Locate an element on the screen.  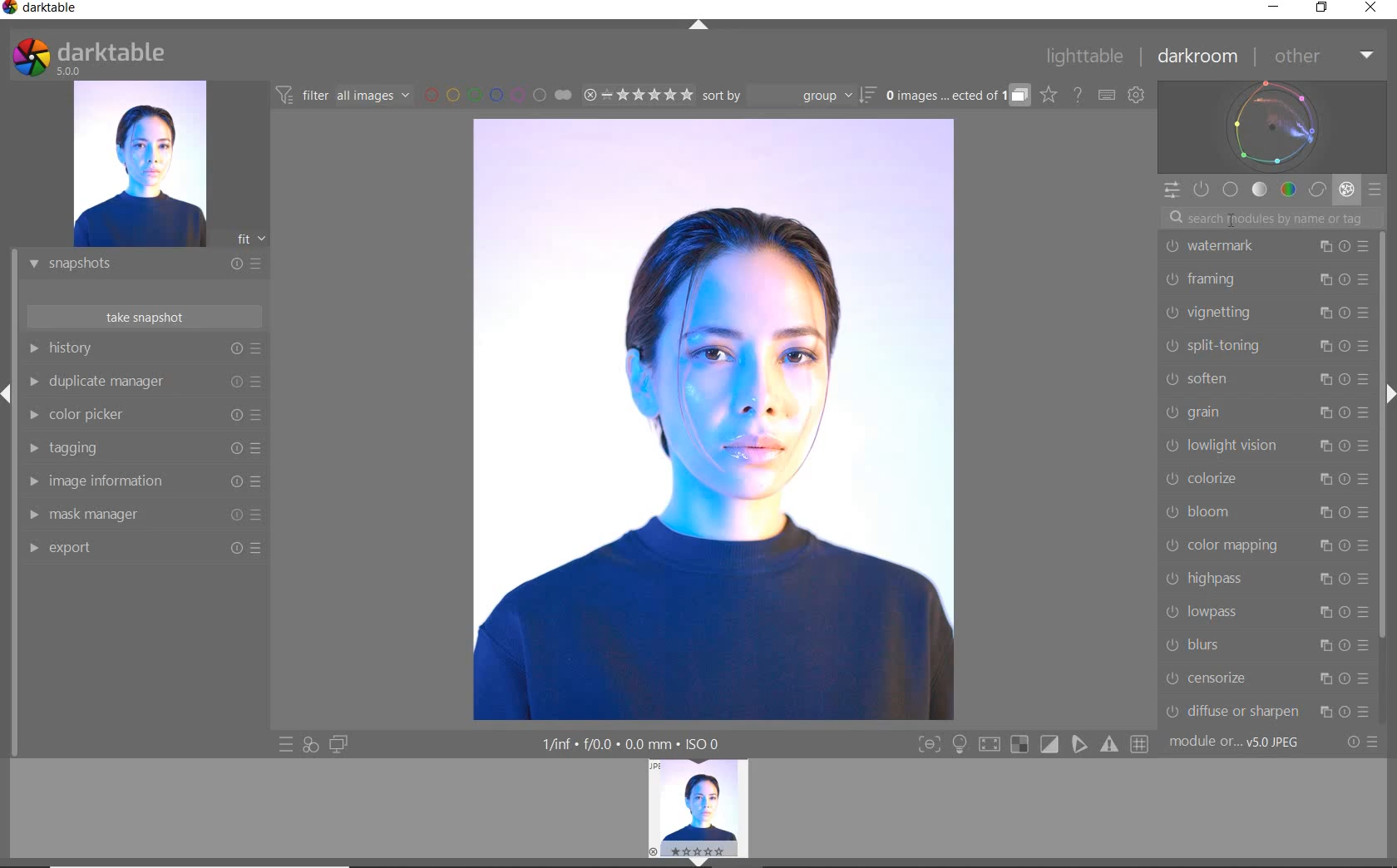
FILTER BY IMAGE COLOR LABEL is located at coordinates (498, 94).